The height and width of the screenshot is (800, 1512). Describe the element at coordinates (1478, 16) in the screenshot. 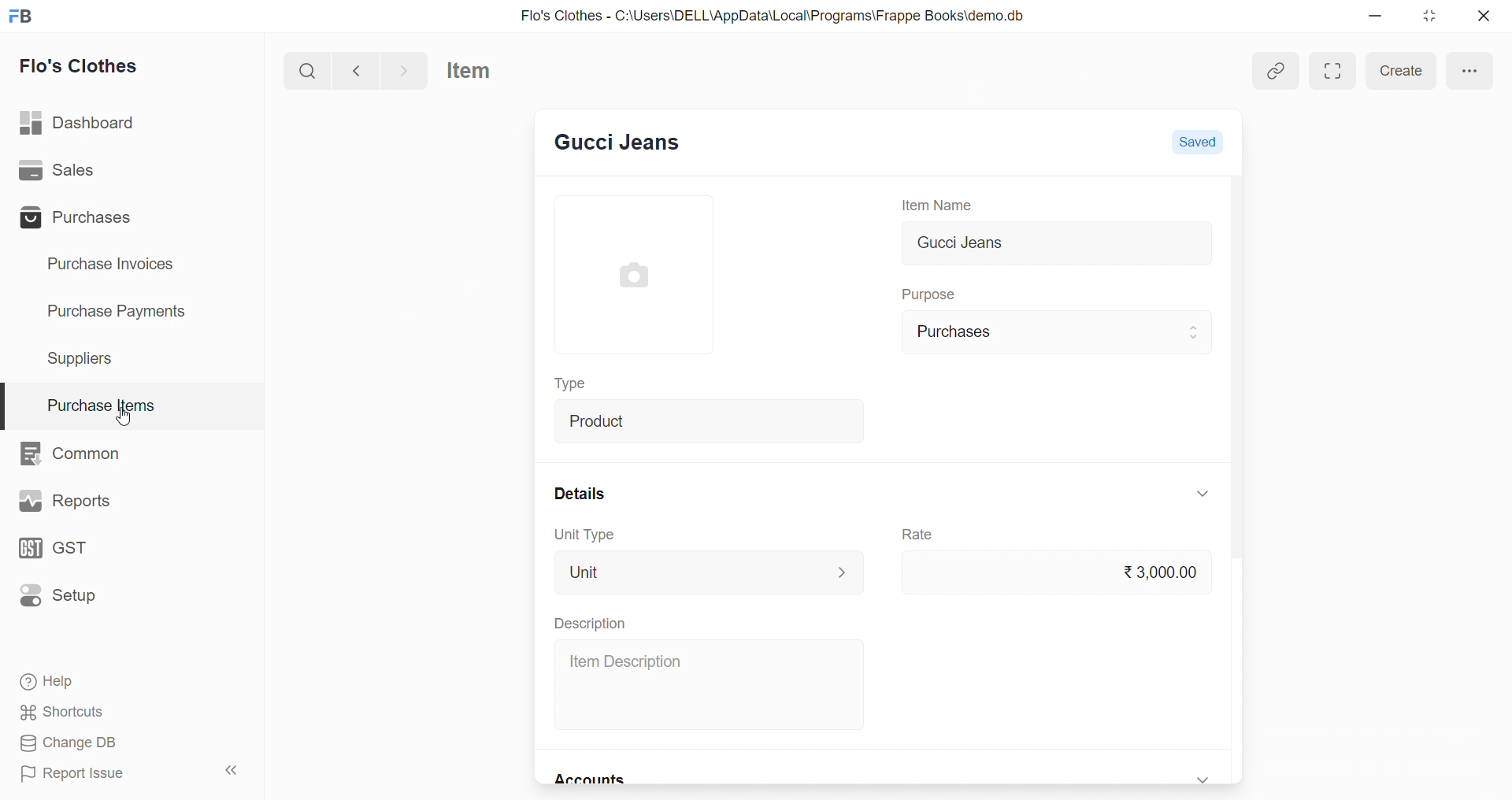

I see `close` at that location.